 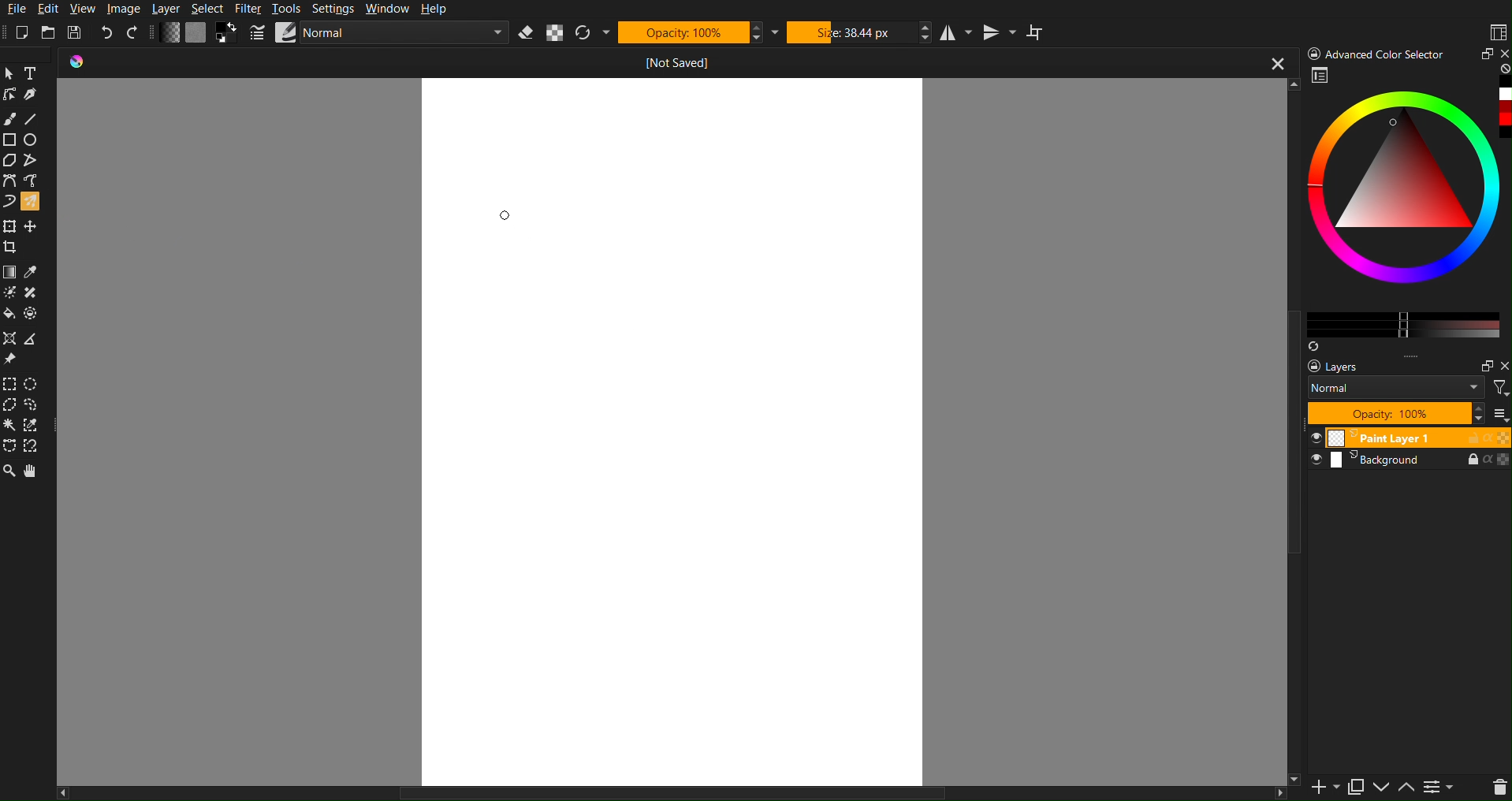 I want to click on Measure Tool, so click(x=35, y=339).